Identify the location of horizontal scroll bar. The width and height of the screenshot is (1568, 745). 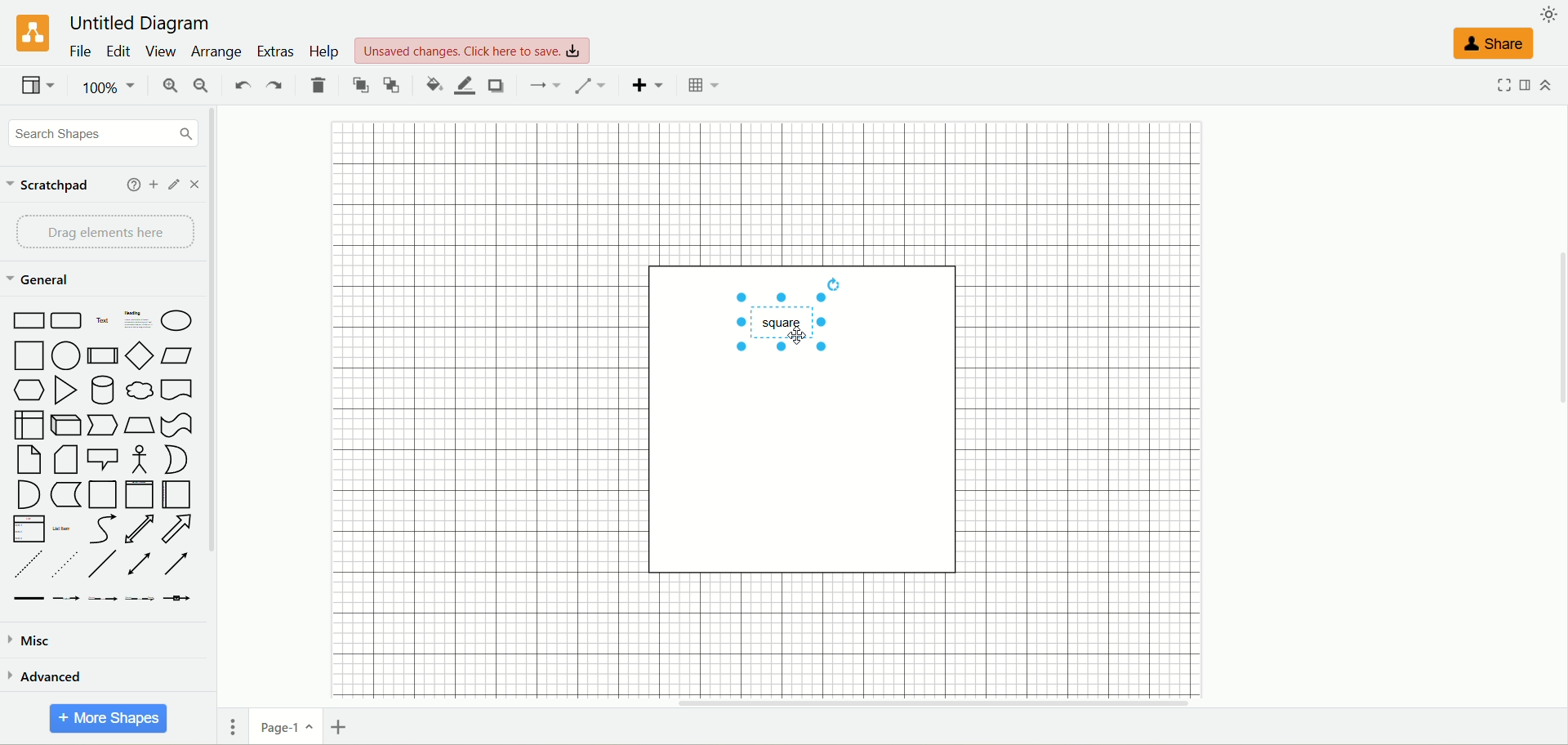
(894, 702).